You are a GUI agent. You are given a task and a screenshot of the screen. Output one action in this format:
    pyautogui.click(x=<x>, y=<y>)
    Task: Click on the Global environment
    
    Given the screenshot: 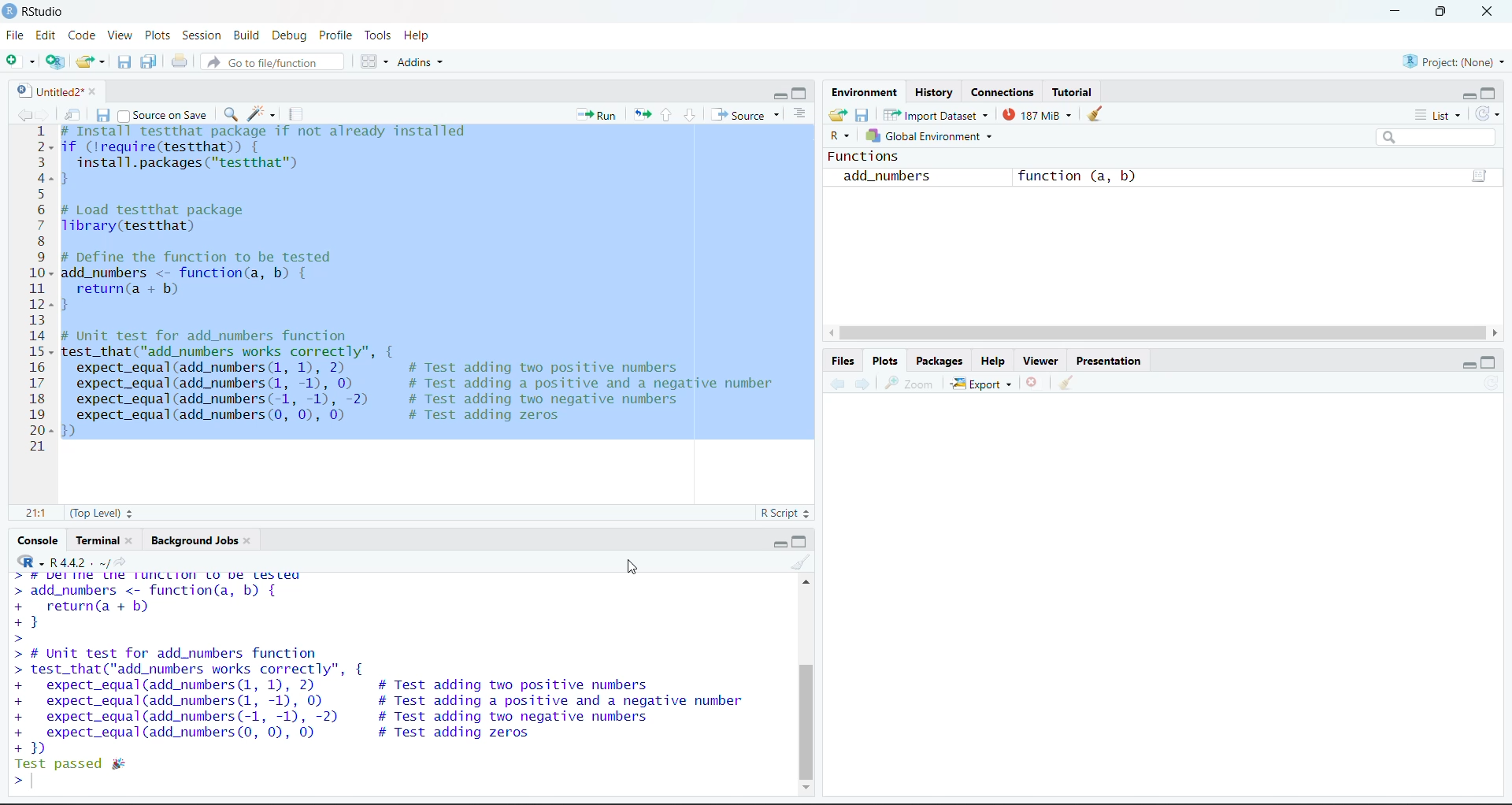 What is the action you would take?
    pyautogui.click(x=932, y=135)
    